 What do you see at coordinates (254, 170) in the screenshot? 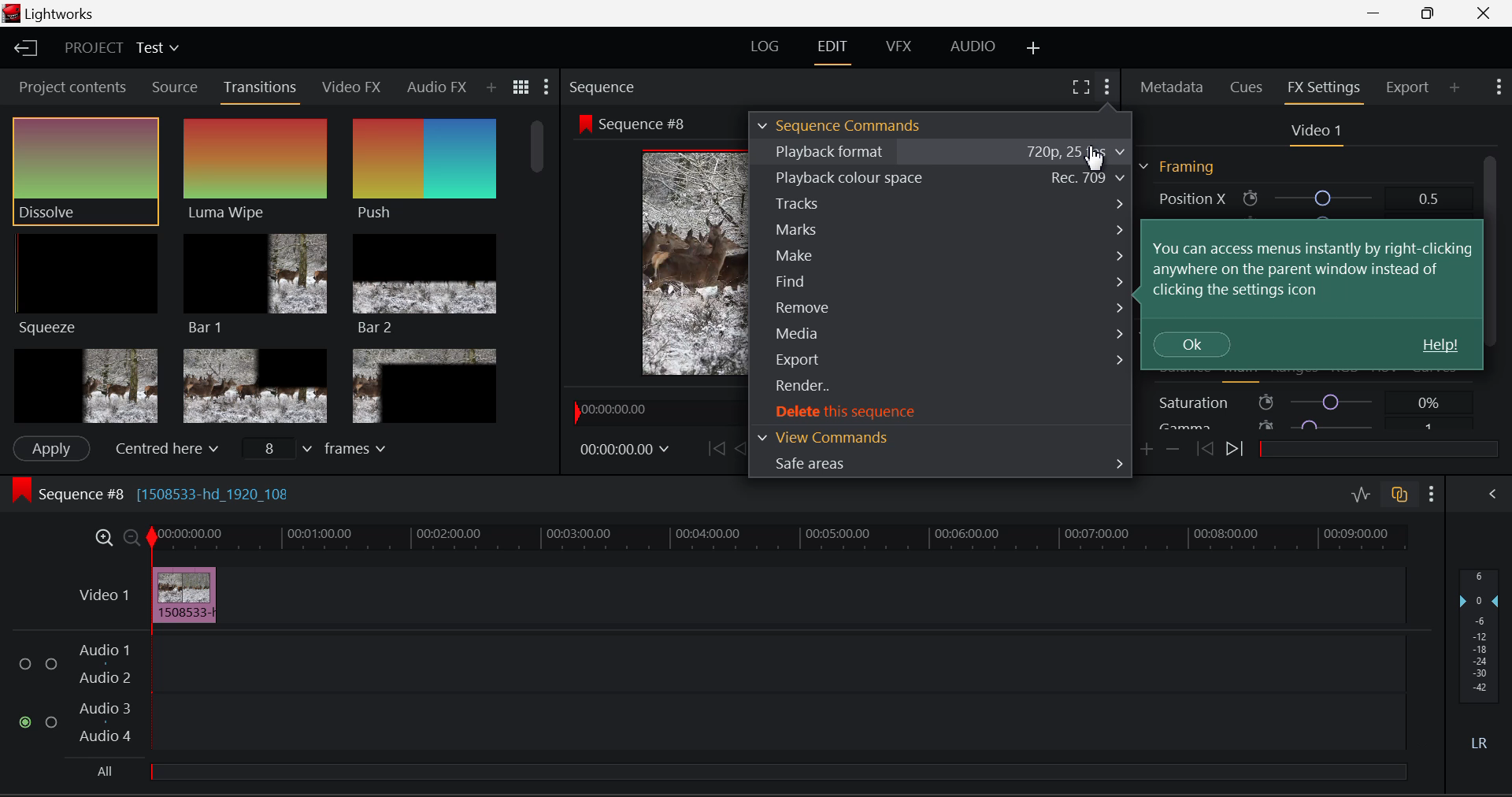
I see `Luma Wipe` at bounding box center [254, 170].